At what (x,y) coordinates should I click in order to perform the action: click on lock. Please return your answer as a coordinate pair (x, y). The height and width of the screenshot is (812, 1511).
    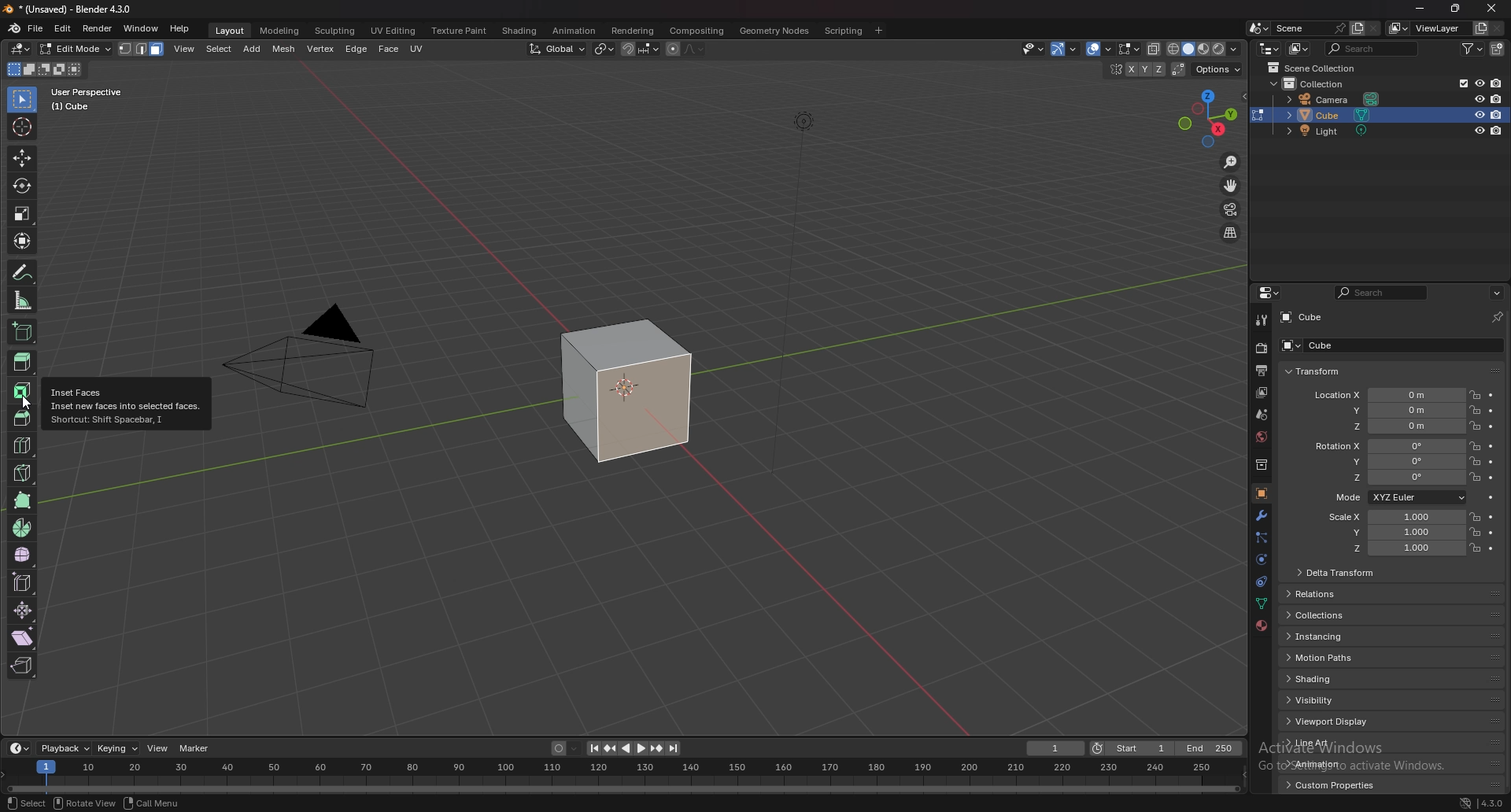
    Looking at the image, I should click on (1475, 478).